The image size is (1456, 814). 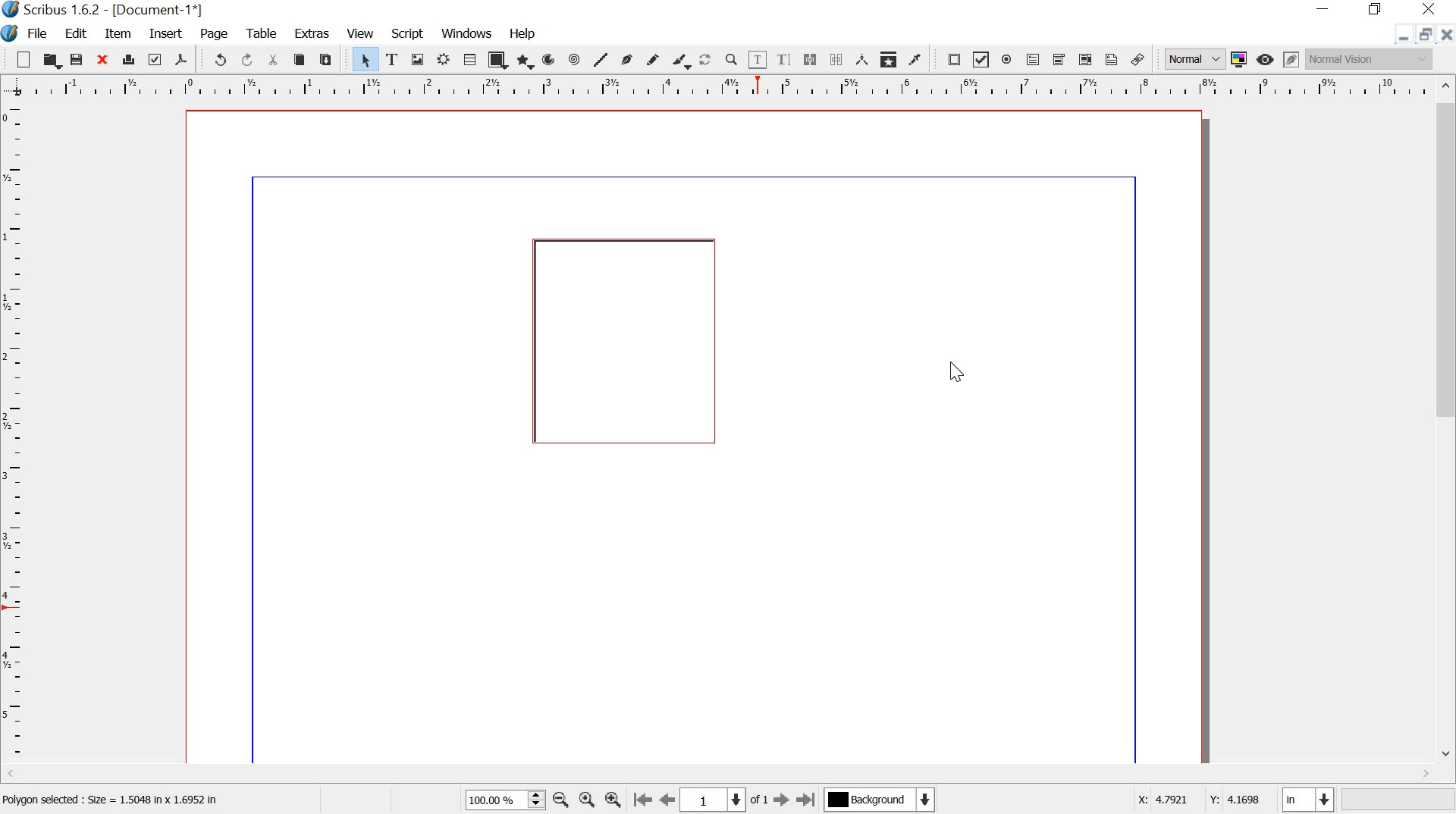 I want to click on minimize, so click(x=1403, y=37).